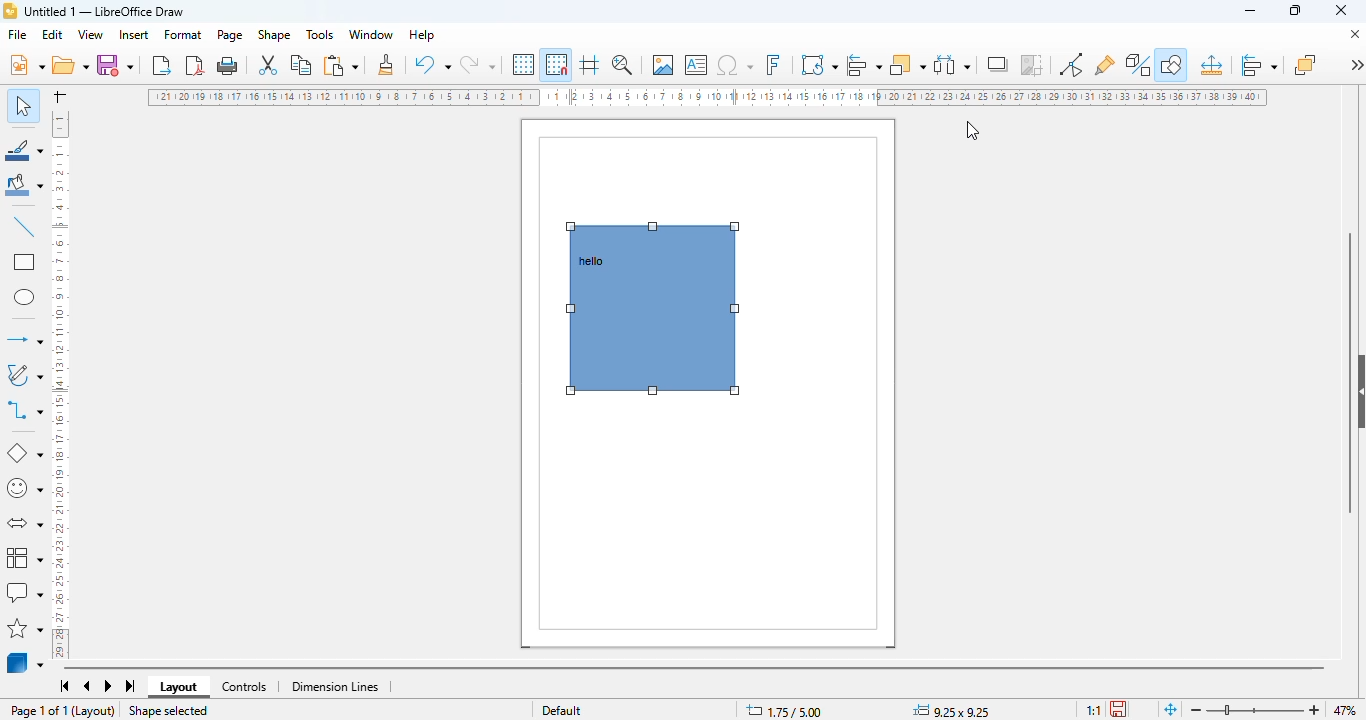  Describe the element at coordinates (1344, 709) in the screenshot. I see `47%` at that location.